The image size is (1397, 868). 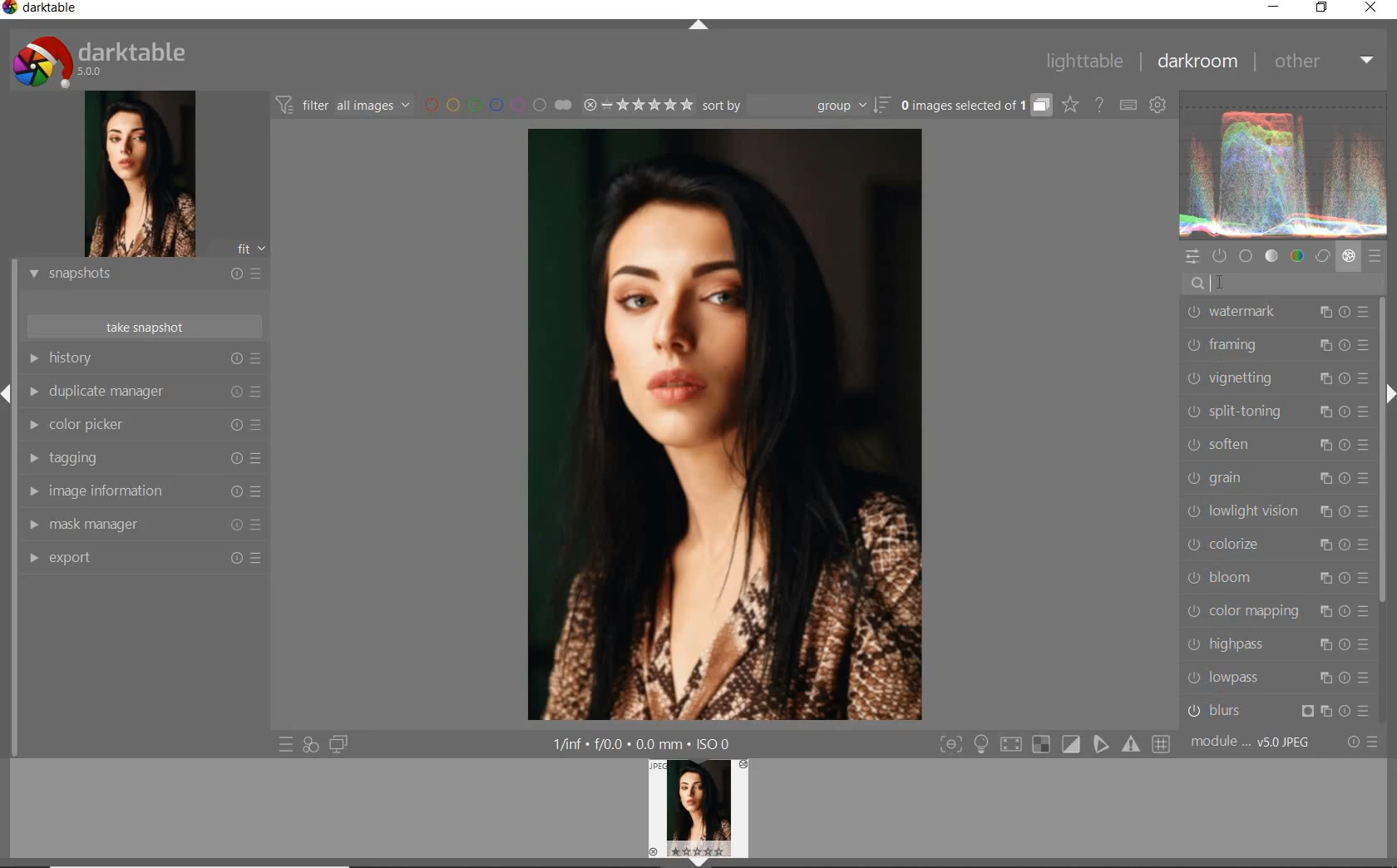 I want to click on other, so click(x=1320, y=62).